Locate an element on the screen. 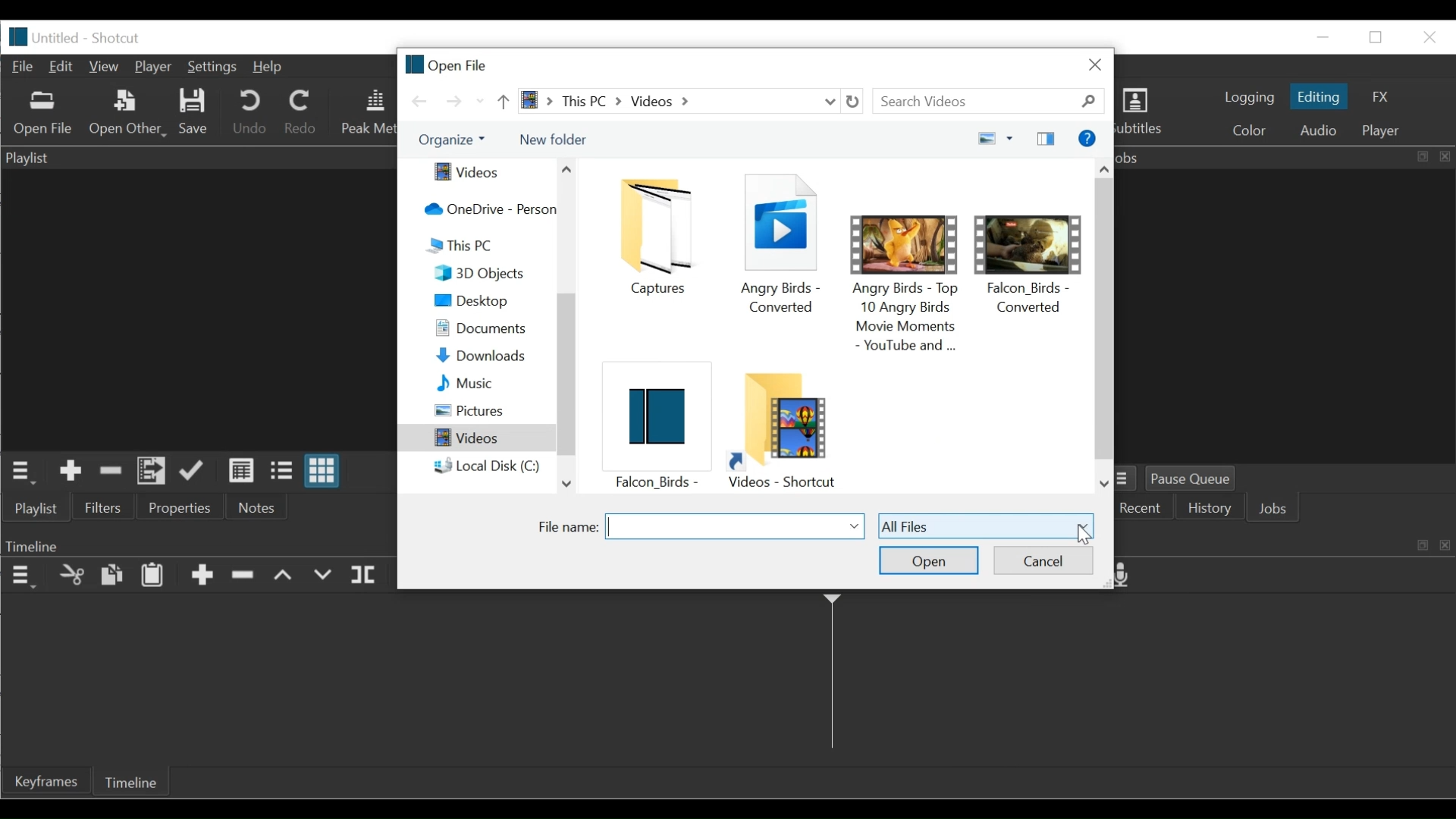  FX is located at coordinates (1377, 98).